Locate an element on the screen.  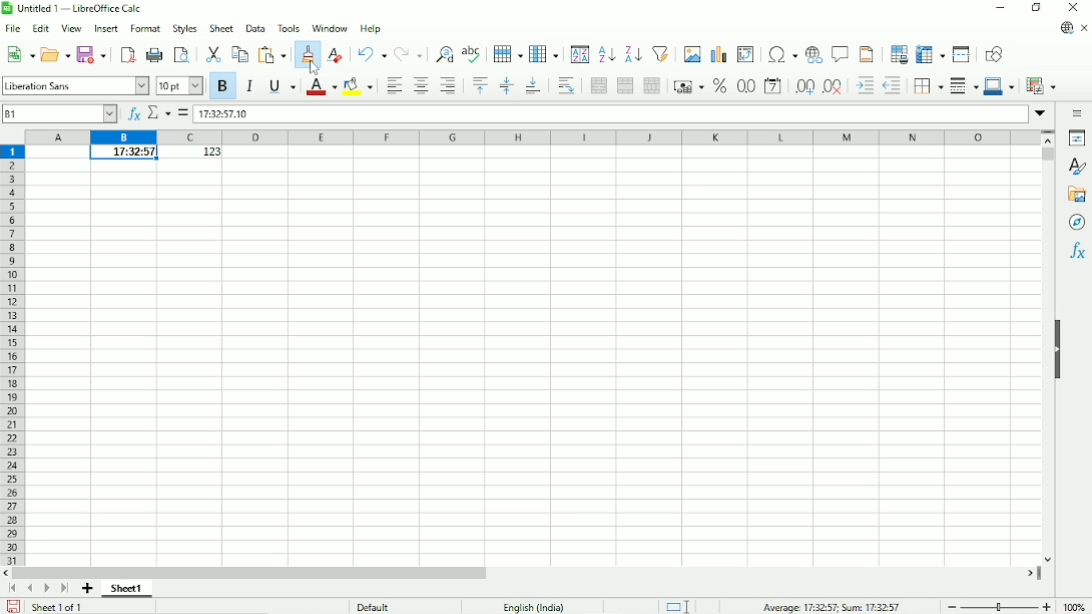
Sort ascending is located at coordinates (606, 54).